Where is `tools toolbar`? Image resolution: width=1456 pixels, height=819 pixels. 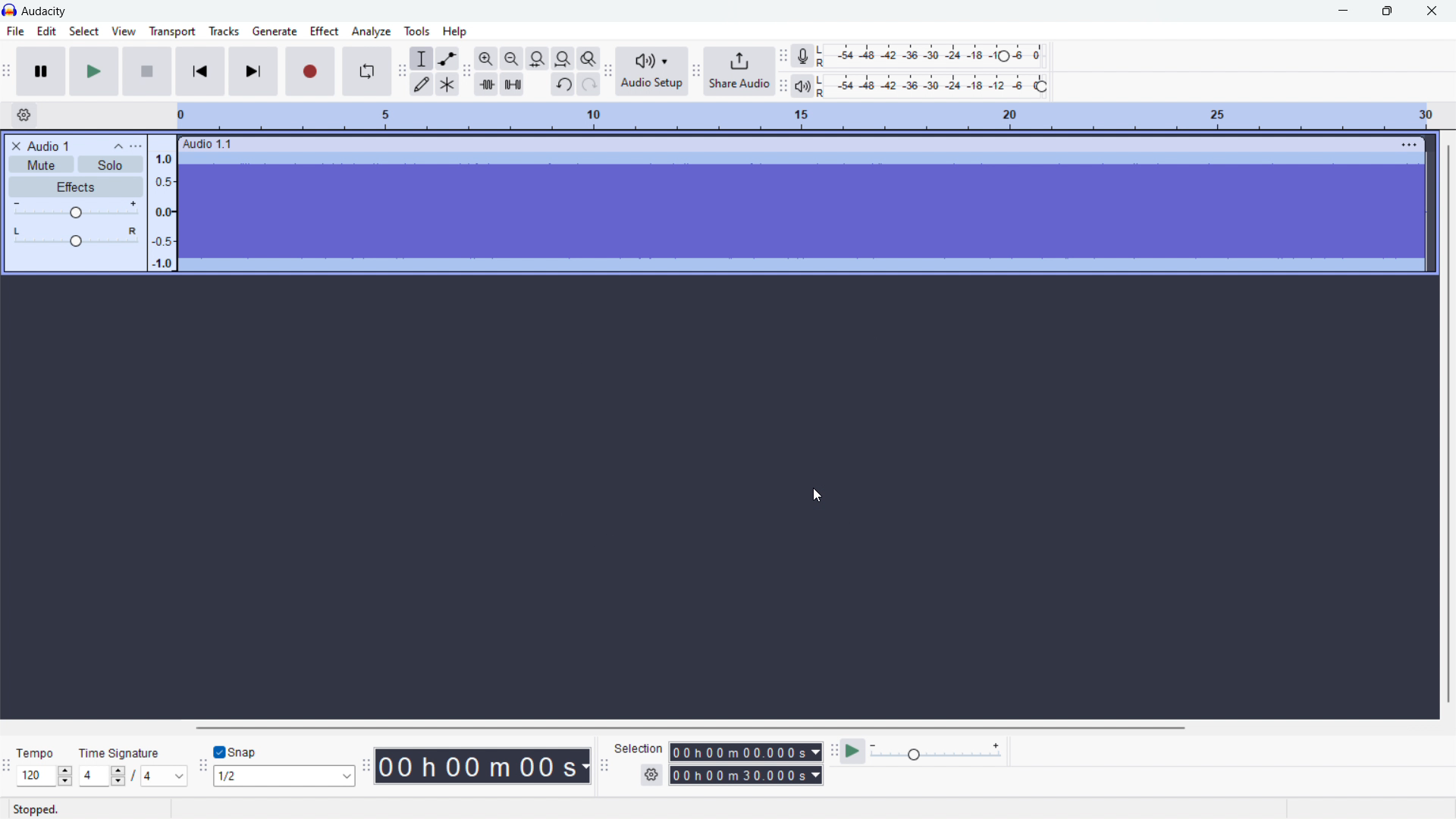
tools toolbar is located at coordinates (402, 74).